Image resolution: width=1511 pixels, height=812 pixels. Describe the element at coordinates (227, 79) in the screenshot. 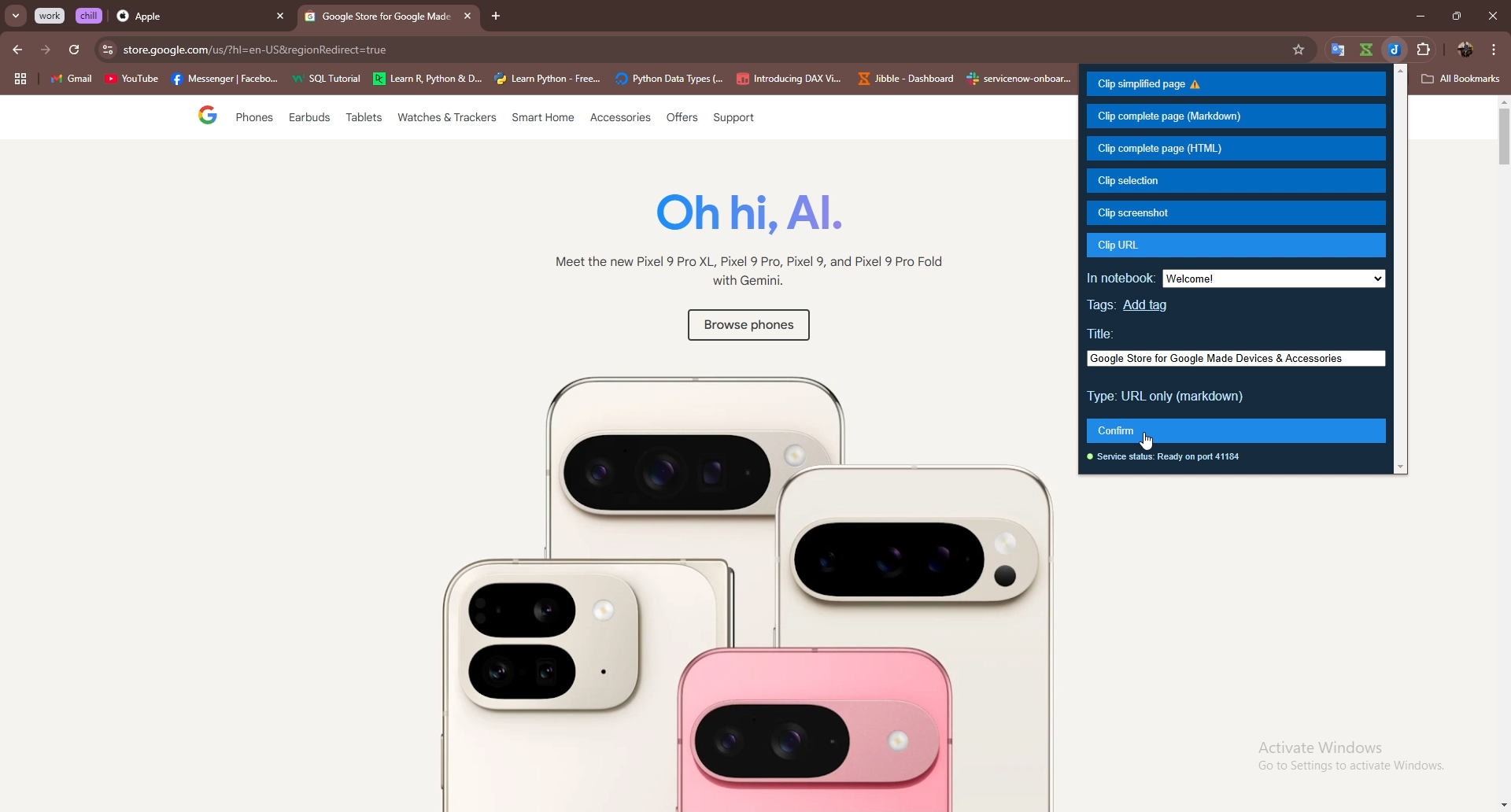

I see `Messenger|Faceb` at that location.